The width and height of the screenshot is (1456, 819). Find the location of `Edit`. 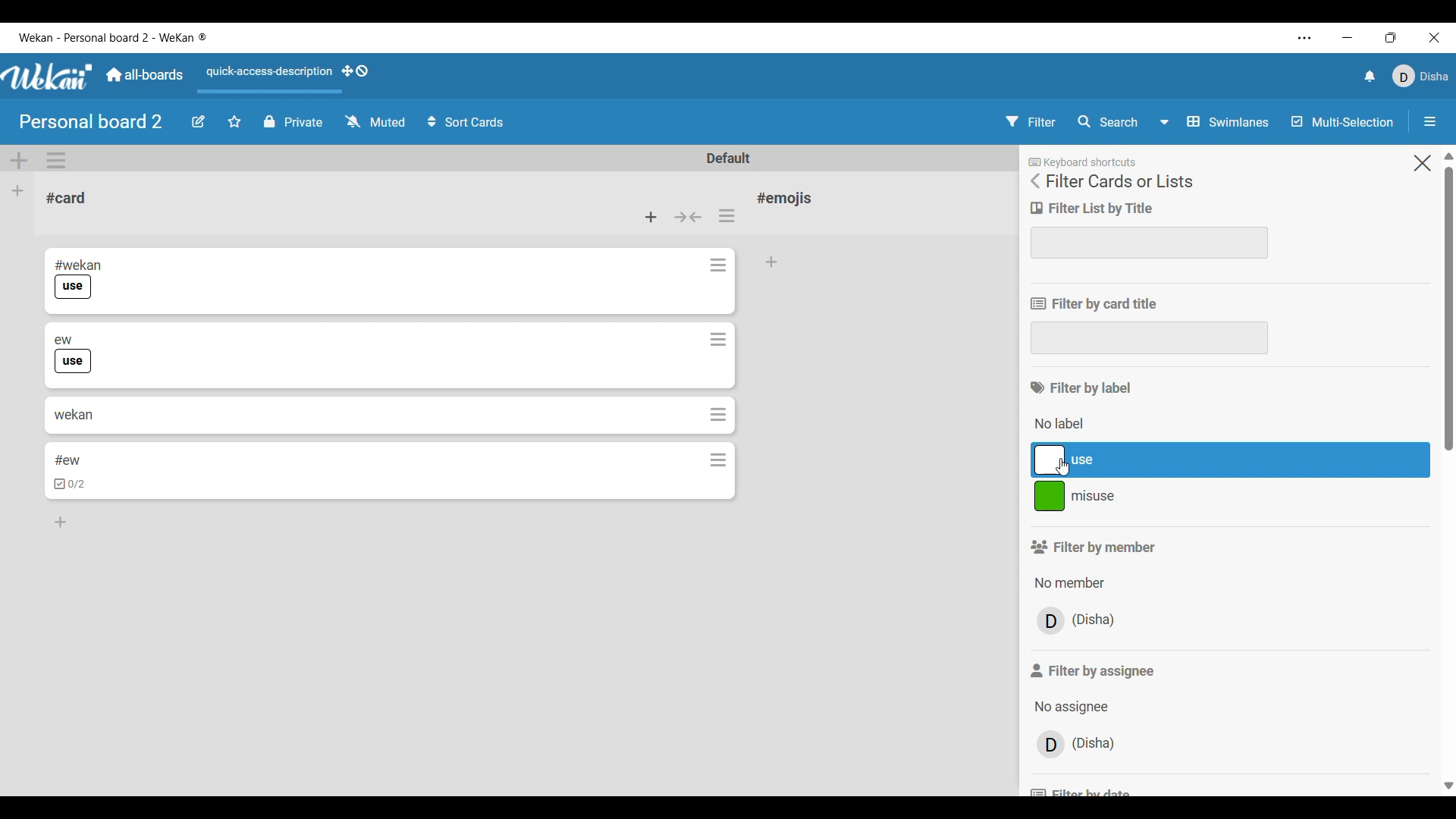

Edit is located at coordinates (198, 122).